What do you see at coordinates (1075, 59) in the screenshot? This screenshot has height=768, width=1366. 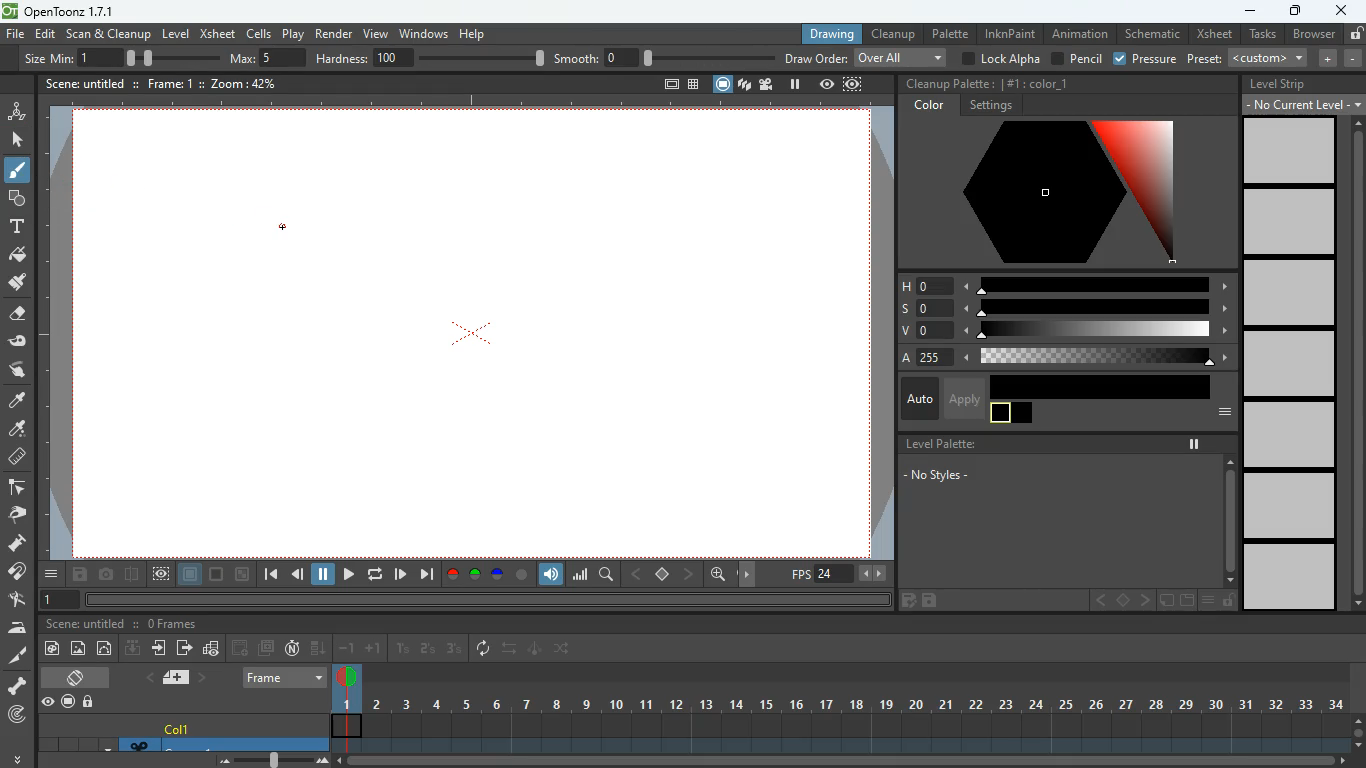 I see `pencil` at bounding box center [1075, 59].